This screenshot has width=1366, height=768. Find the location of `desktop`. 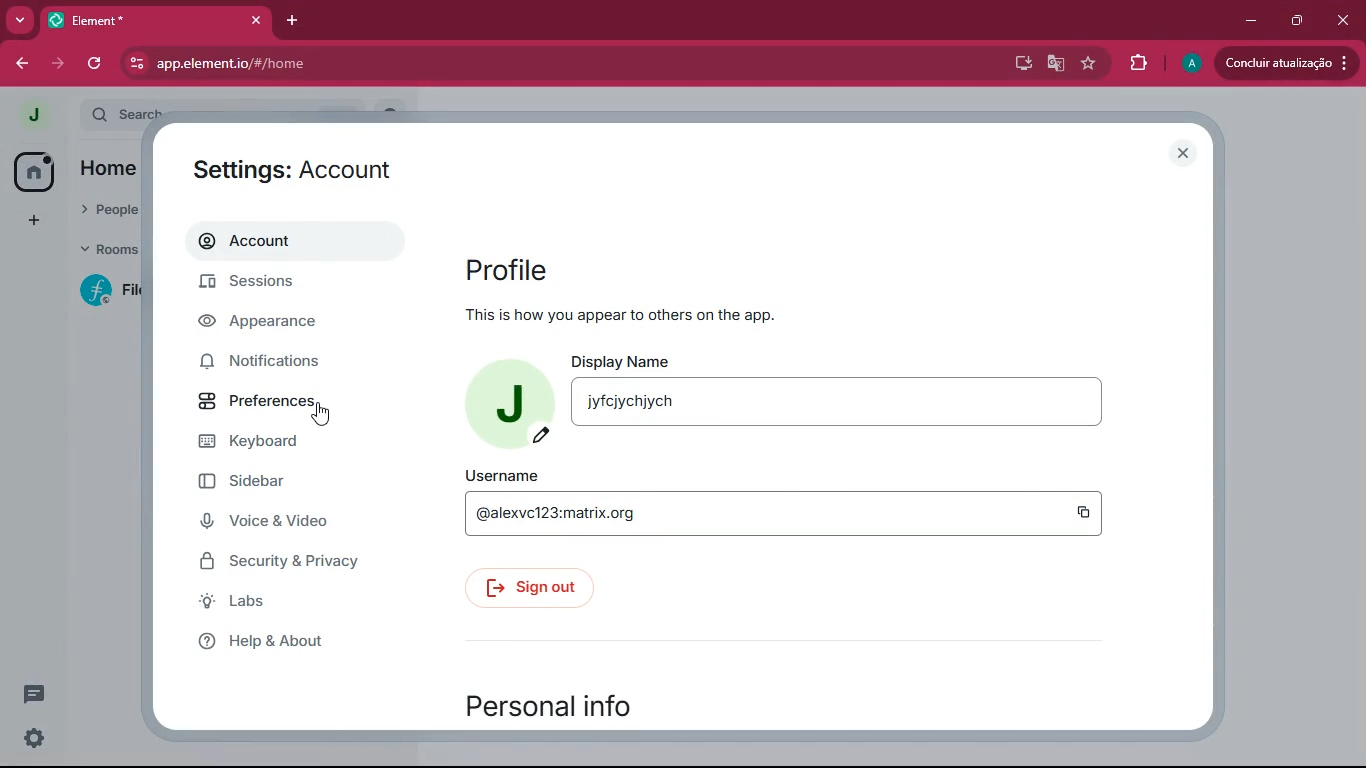

desktop is located at coordinates (1015, 62).